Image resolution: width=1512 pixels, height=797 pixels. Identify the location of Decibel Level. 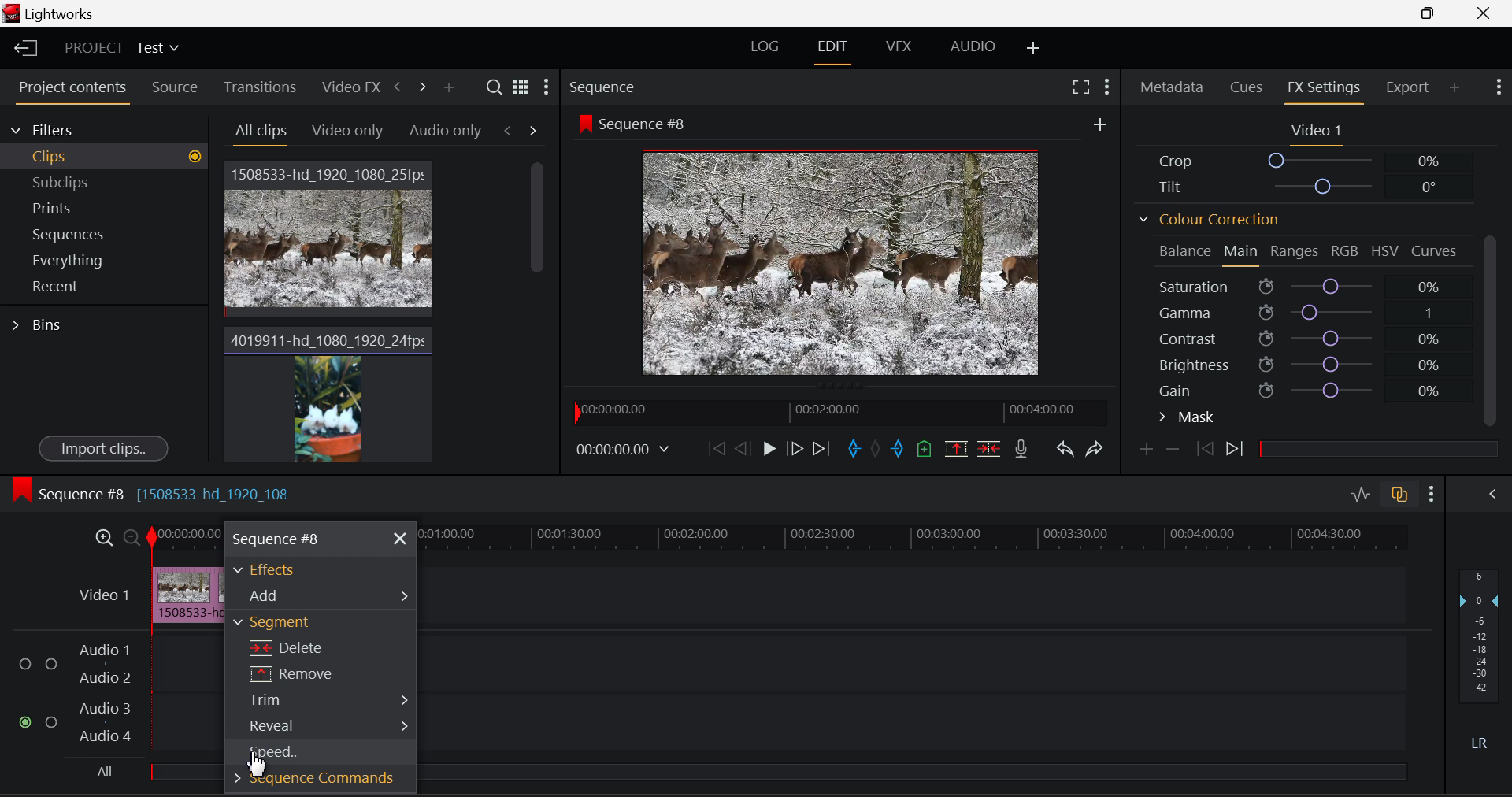
(1482, 635).